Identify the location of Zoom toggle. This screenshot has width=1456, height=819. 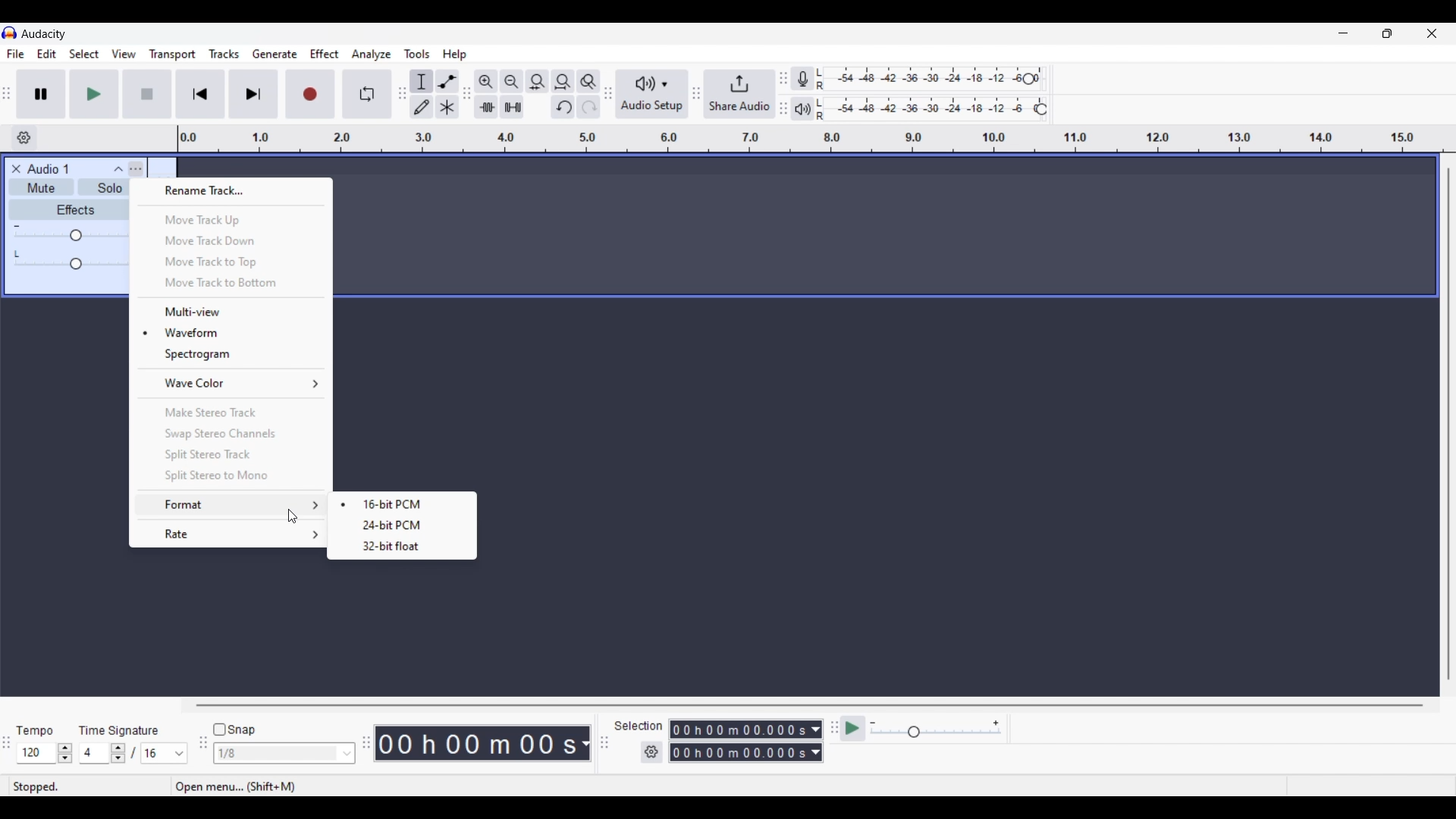
(588, 81).